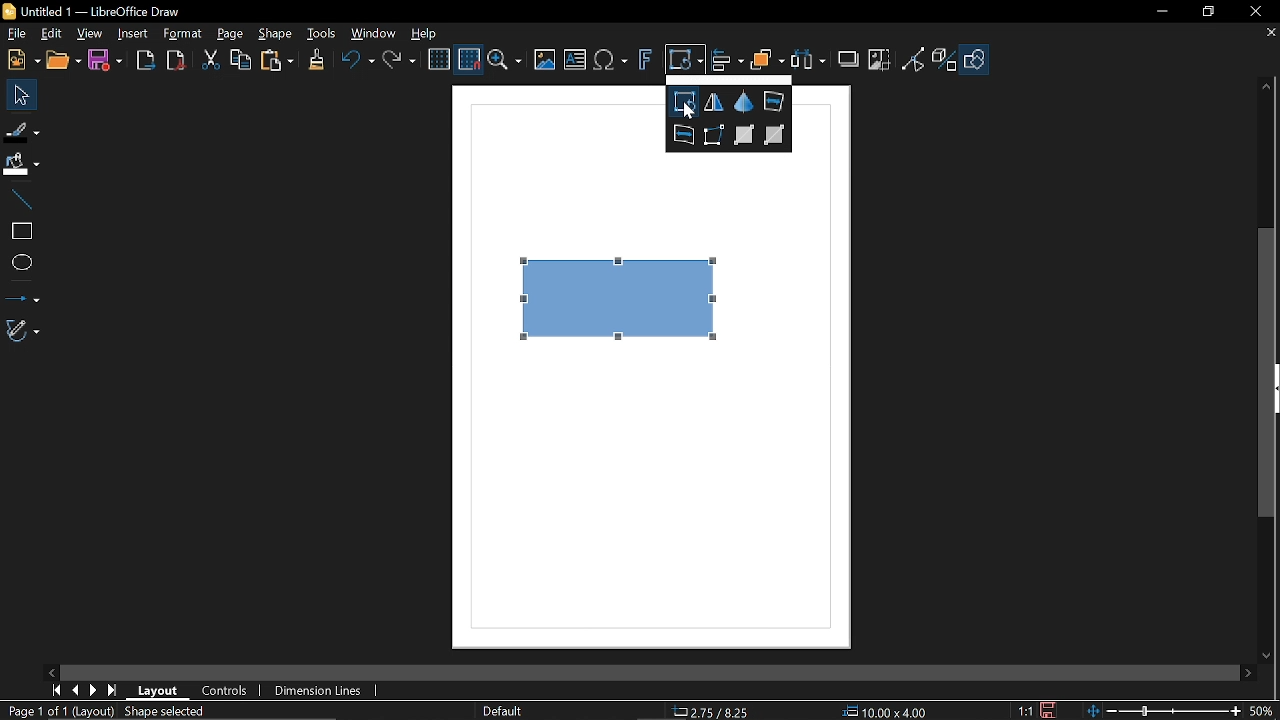 The height and width of the screenshot is (720, 1280). I want to click on Edit, so click(50, 34).